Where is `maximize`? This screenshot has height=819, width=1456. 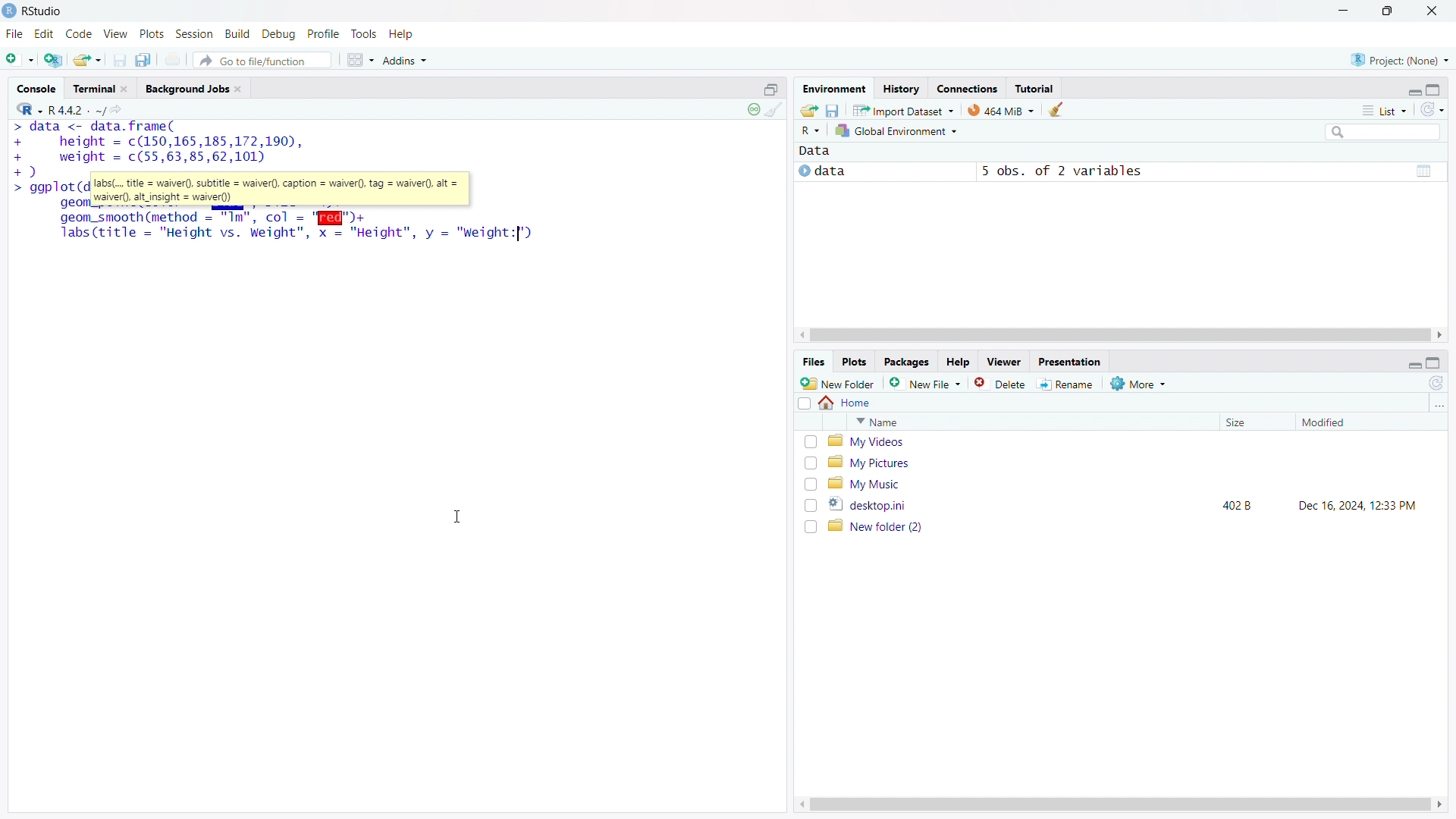 maximize is located at coordinates (1389, 11).